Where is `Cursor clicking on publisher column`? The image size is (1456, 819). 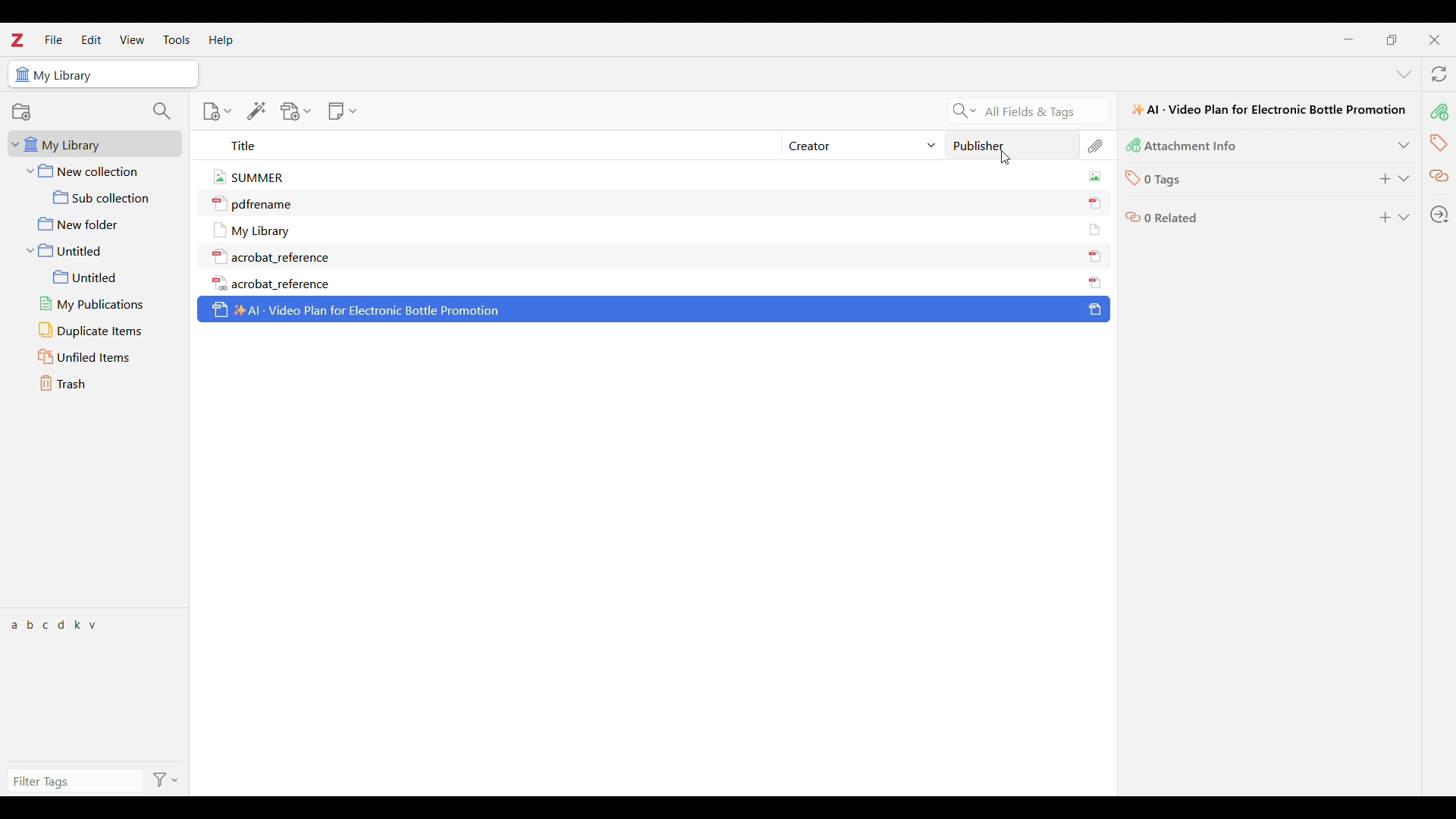 Cursor clicking on publisher column is located at coordinates (1006, 158).